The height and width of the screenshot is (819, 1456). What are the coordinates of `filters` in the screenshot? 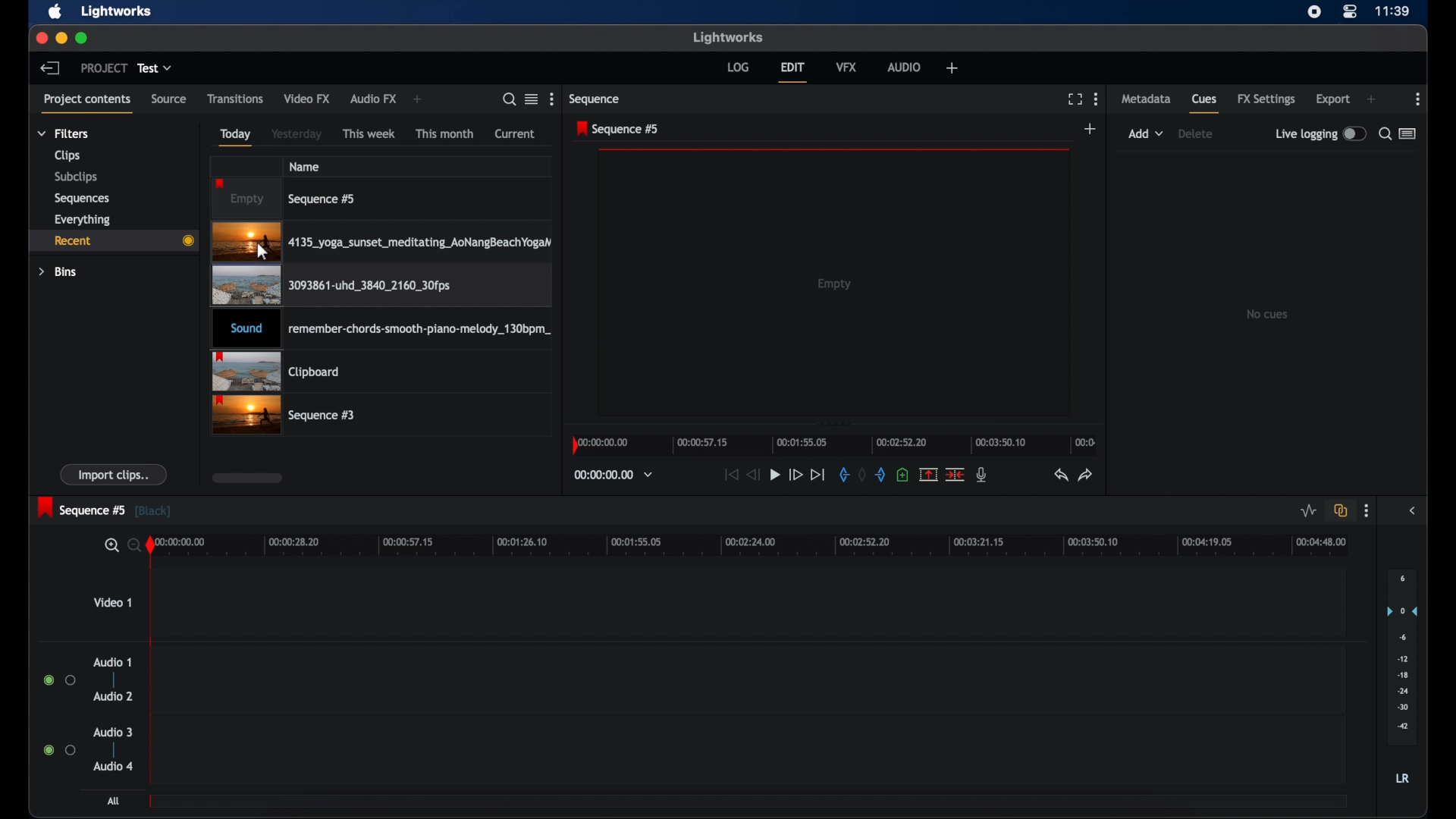 It's located at (64, 133).